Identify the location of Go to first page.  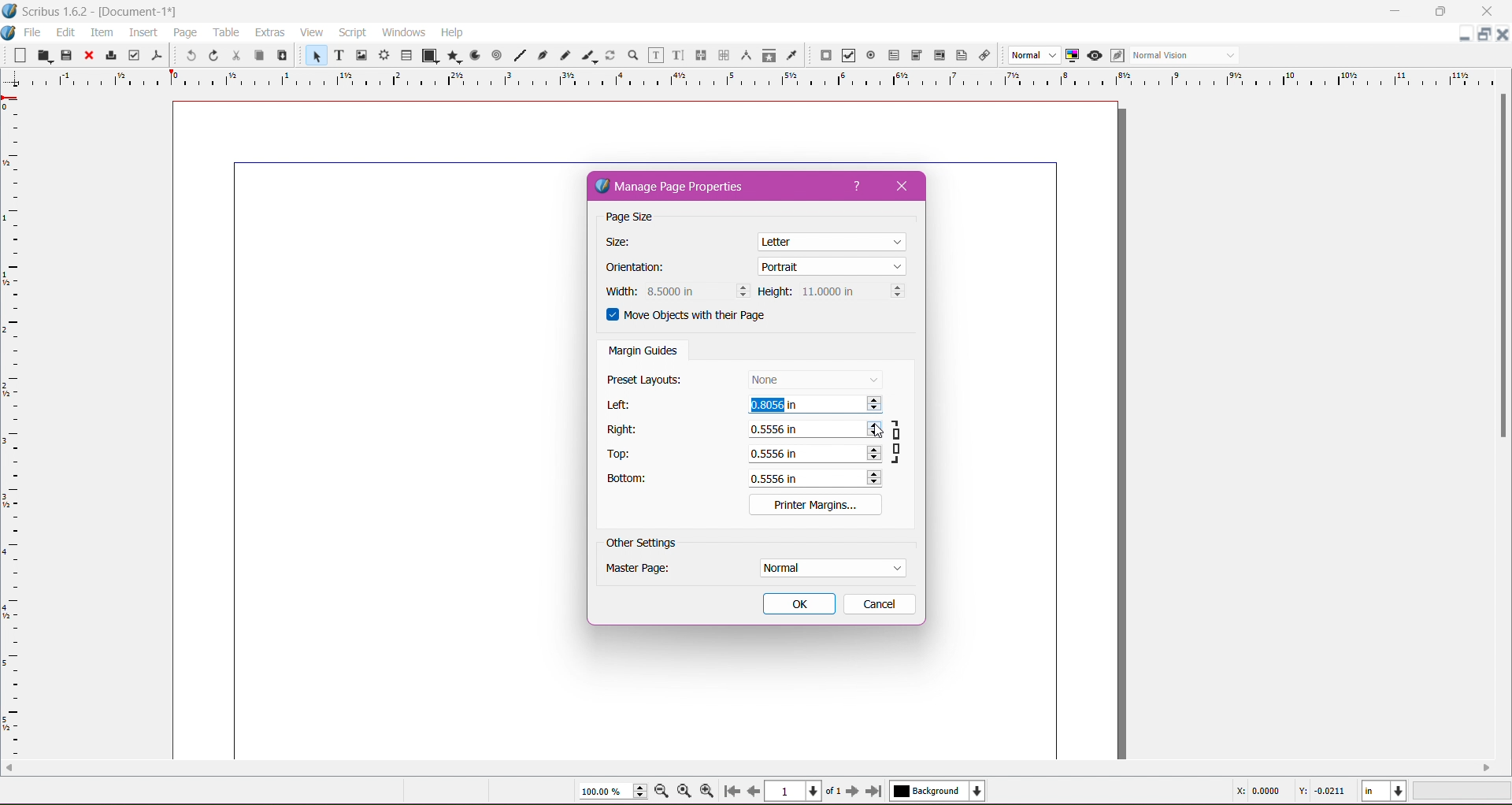
(730, 792).